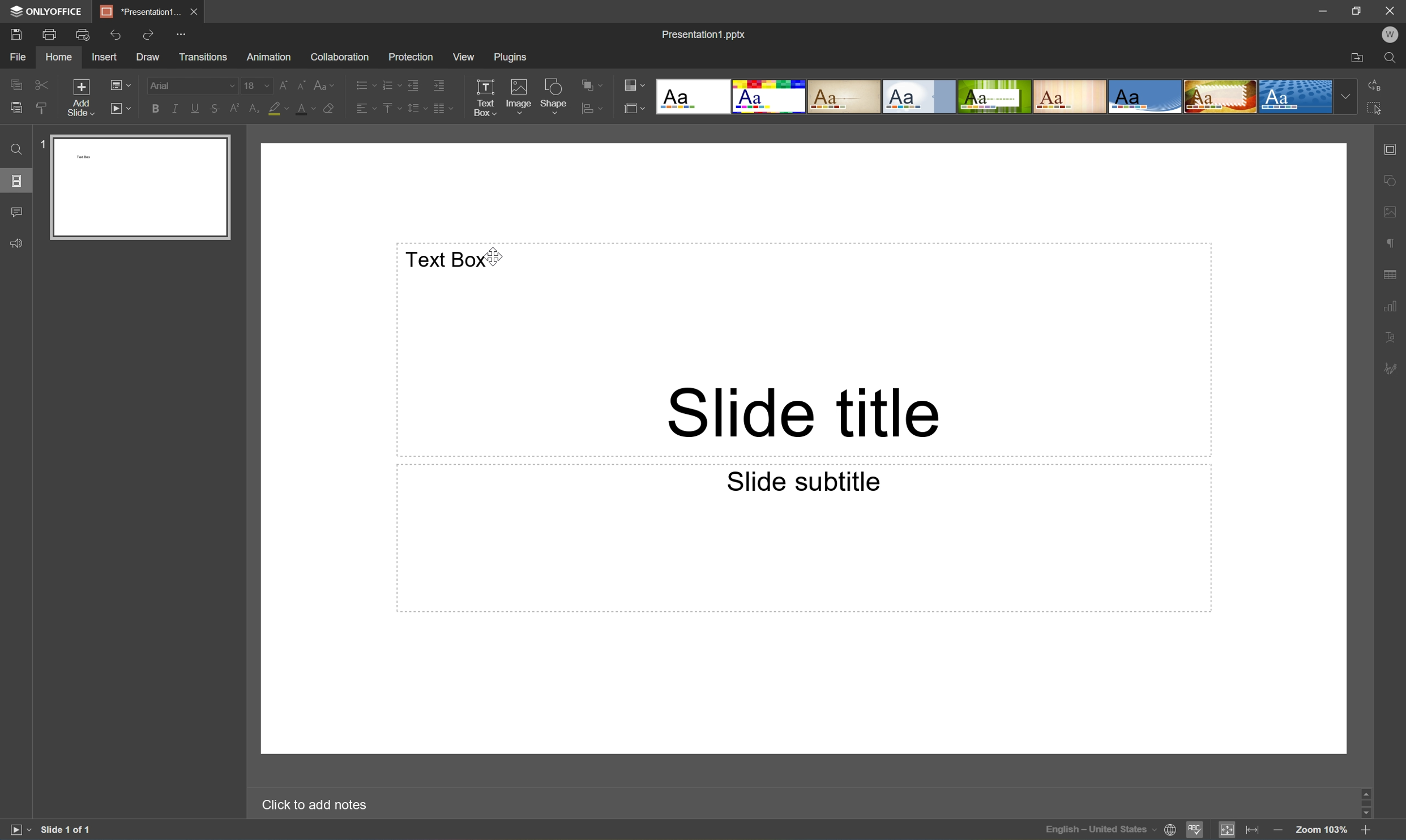 This screenshot has width=1406, height=840. What do you see at coordinates (1170, 830) in the screenshot?
I see `Set document language` at bounding box center [1170, 830].